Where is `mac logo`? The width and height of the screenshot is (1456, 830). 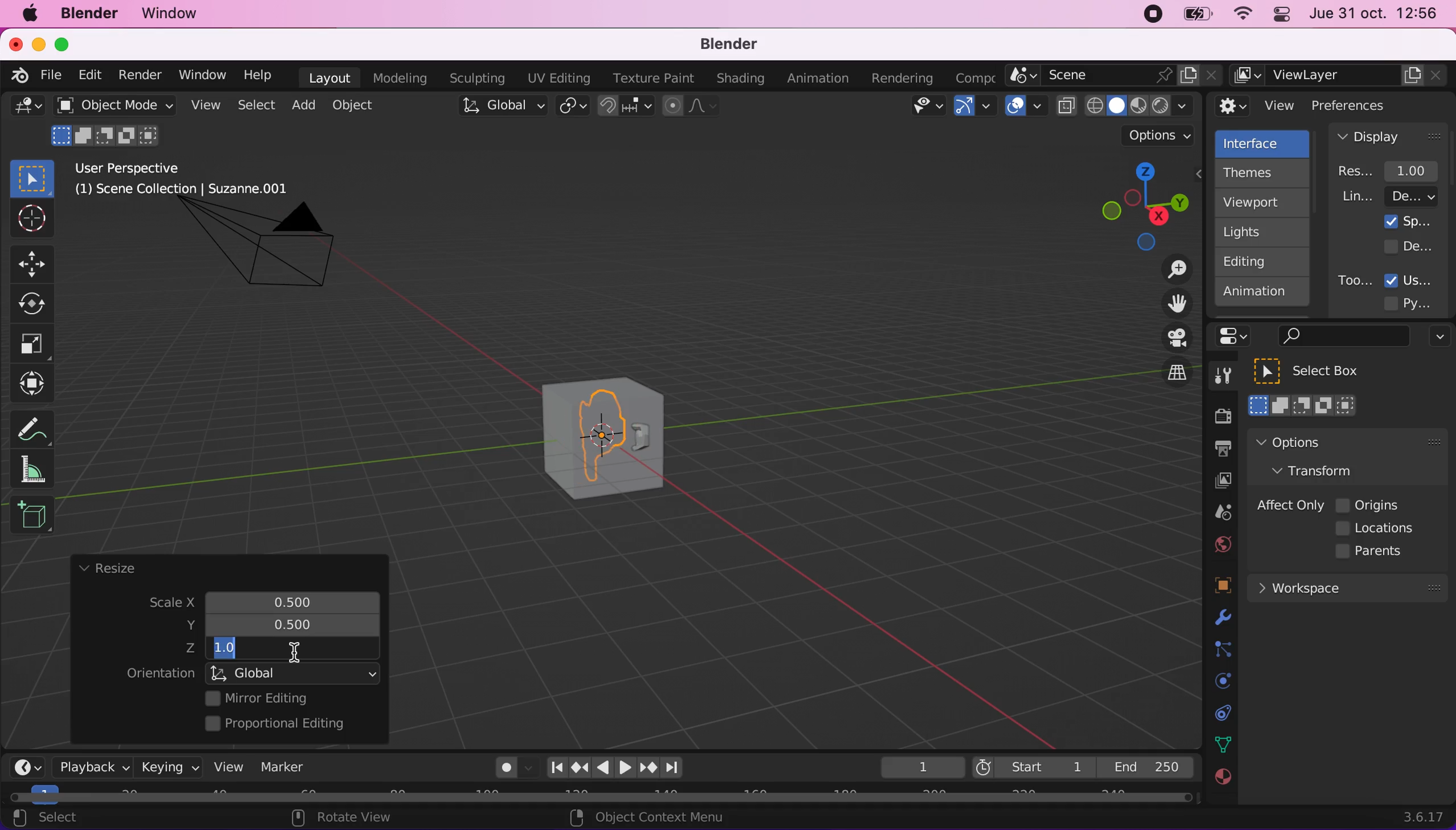 mac logo is located at coordinates (29, 15).